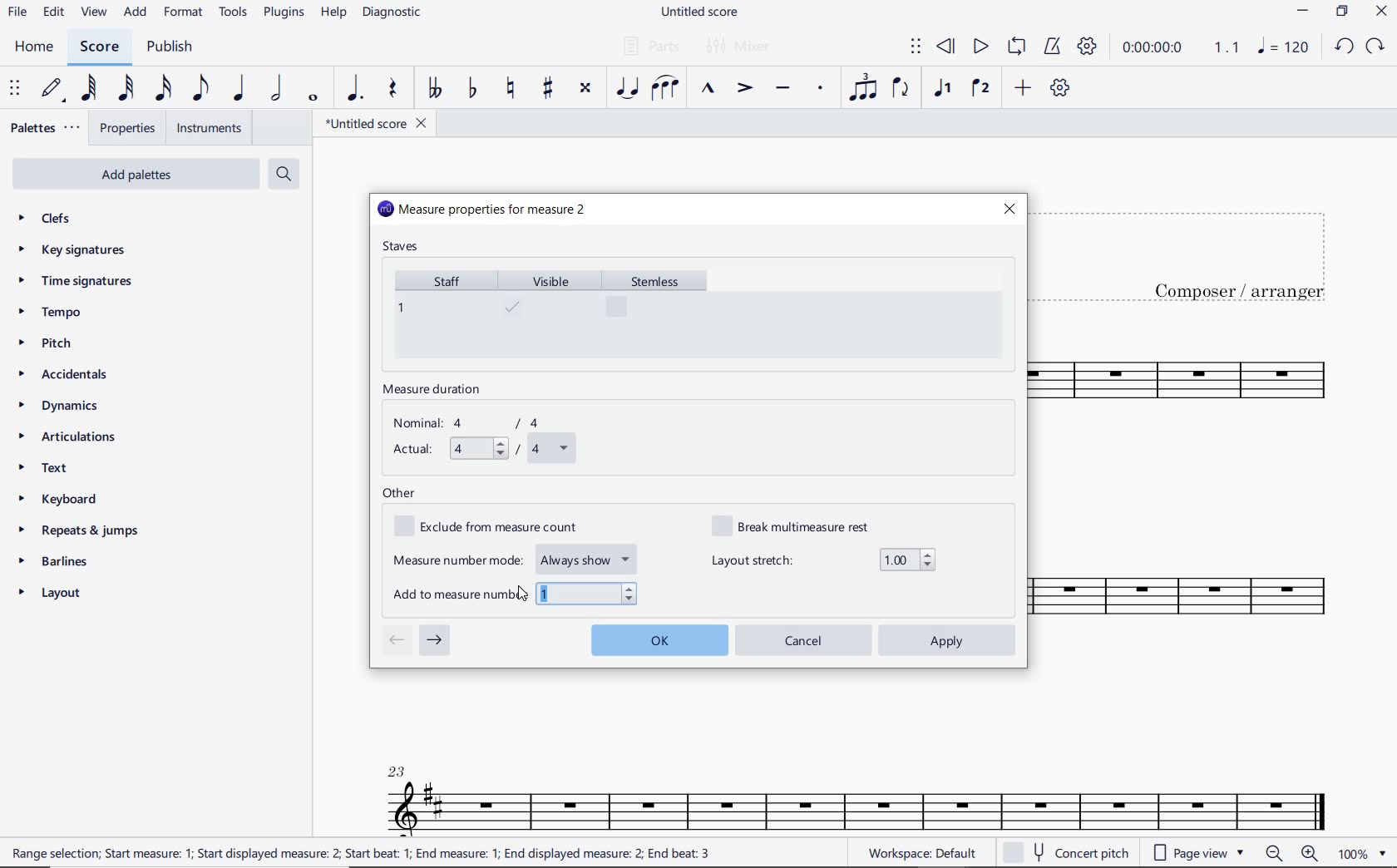 The width and height of the screenshot is (1397, 868). Describe the element at coordinates (134, 173) in the screenshot. I see `ADD PALETTES` at that location.